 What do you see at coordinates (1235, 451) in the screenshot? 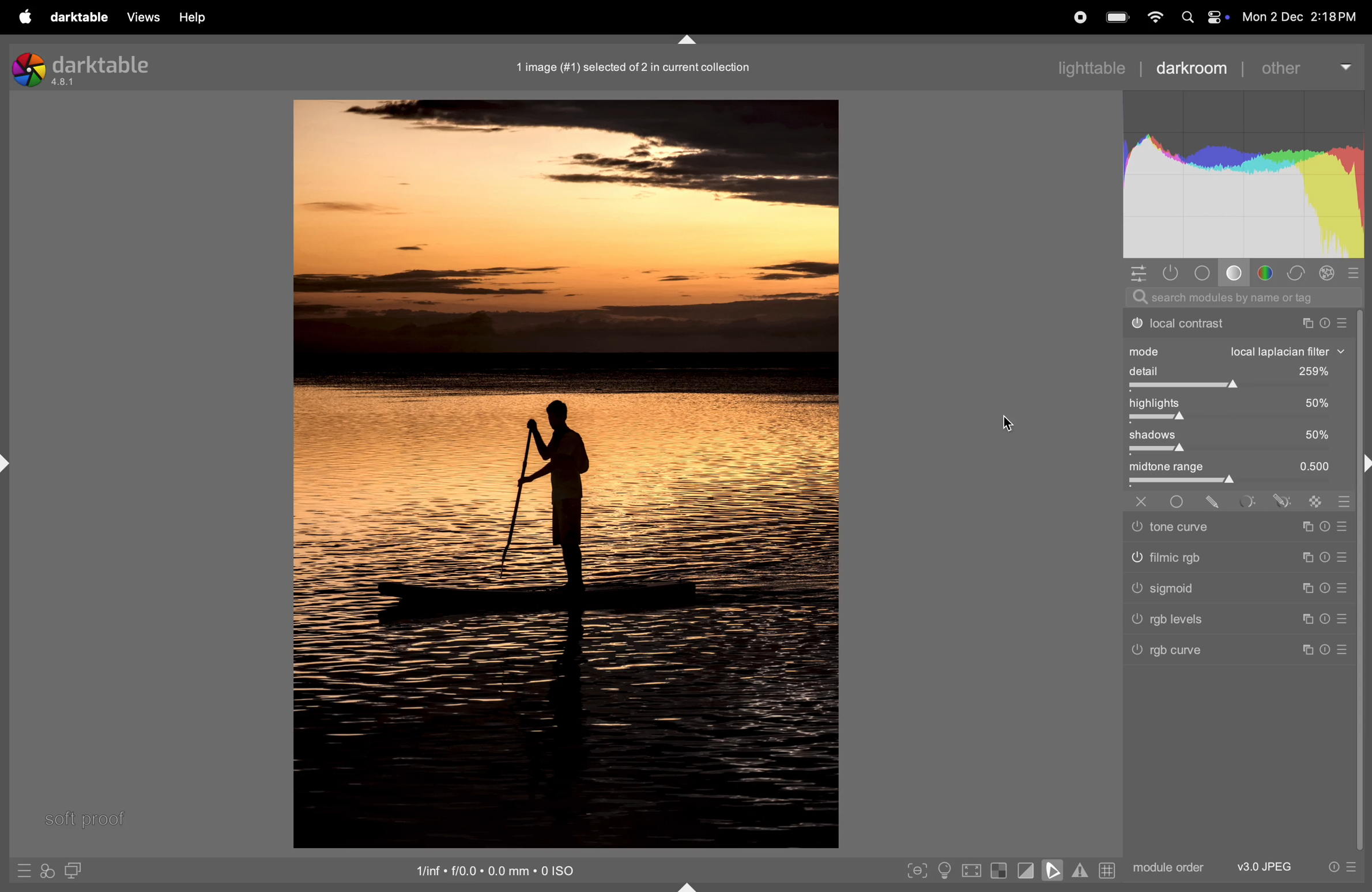
I see `toggle bar` at bounding box center [1235, 451].